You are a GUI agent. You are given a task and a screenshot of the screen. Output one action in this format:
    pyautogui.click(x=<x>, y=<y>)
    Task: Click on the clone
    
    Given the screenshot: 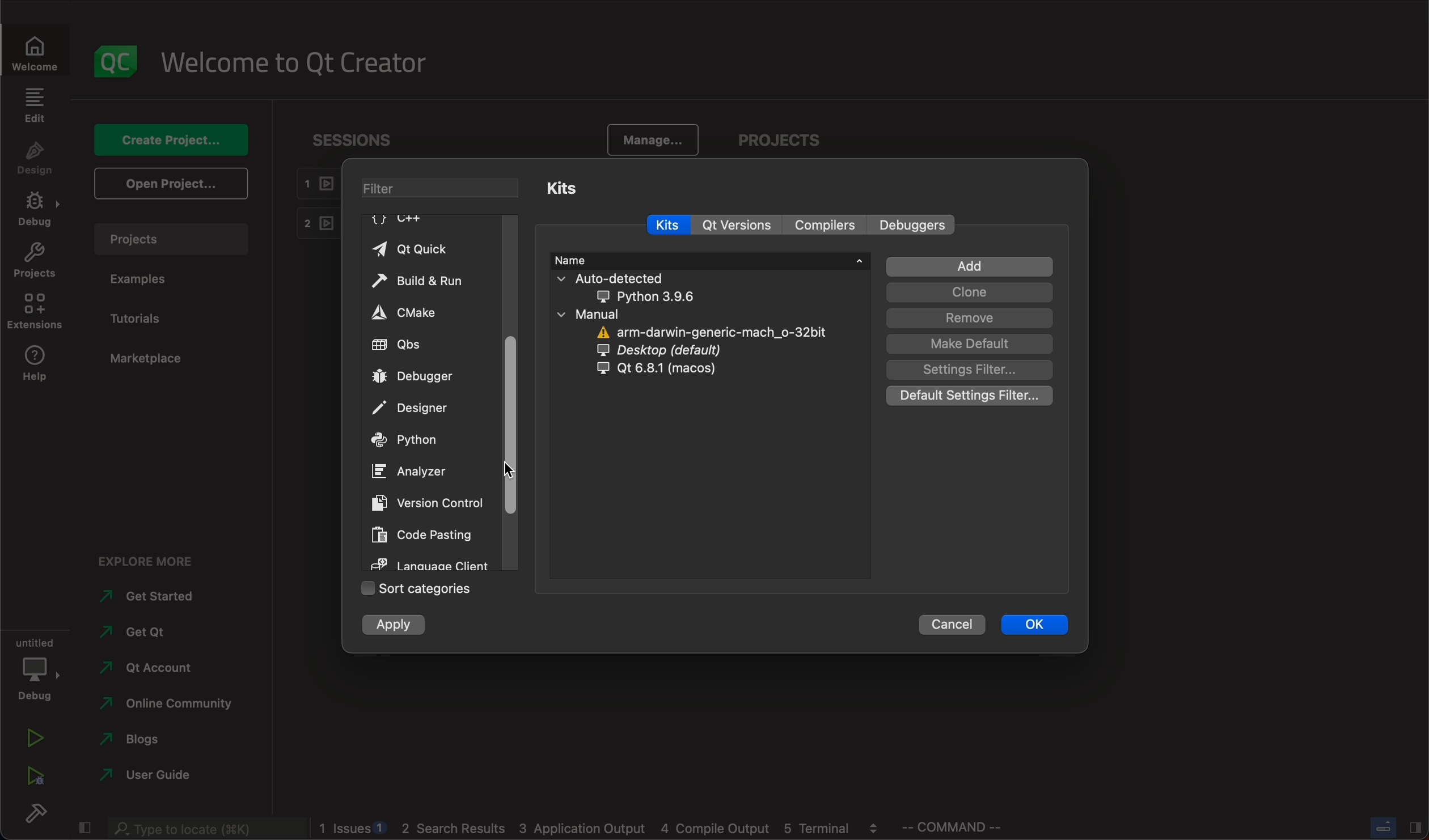 What is the action you would take?
    pyautogui.click(x=969, y=293)
    